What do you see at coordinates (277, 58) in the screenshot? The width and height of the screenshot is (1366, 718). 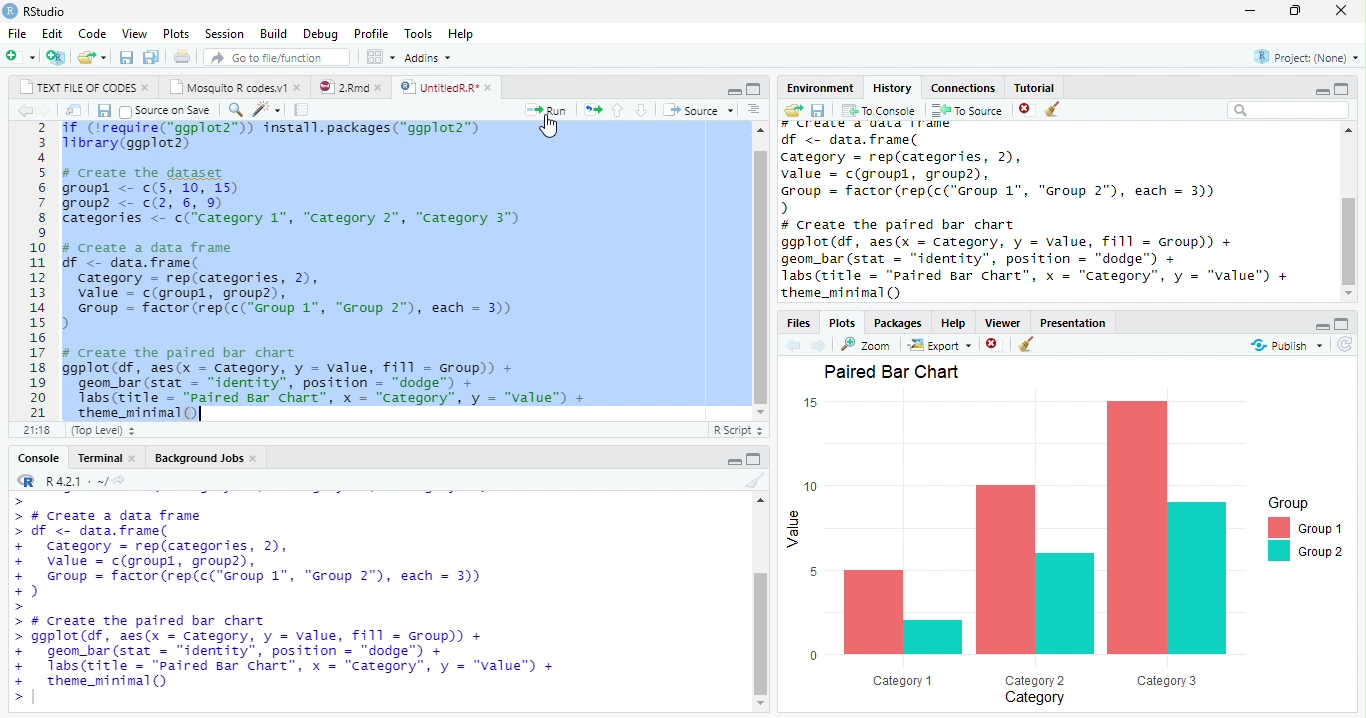 I see `go to file/function` at bounding box center [277, 58].